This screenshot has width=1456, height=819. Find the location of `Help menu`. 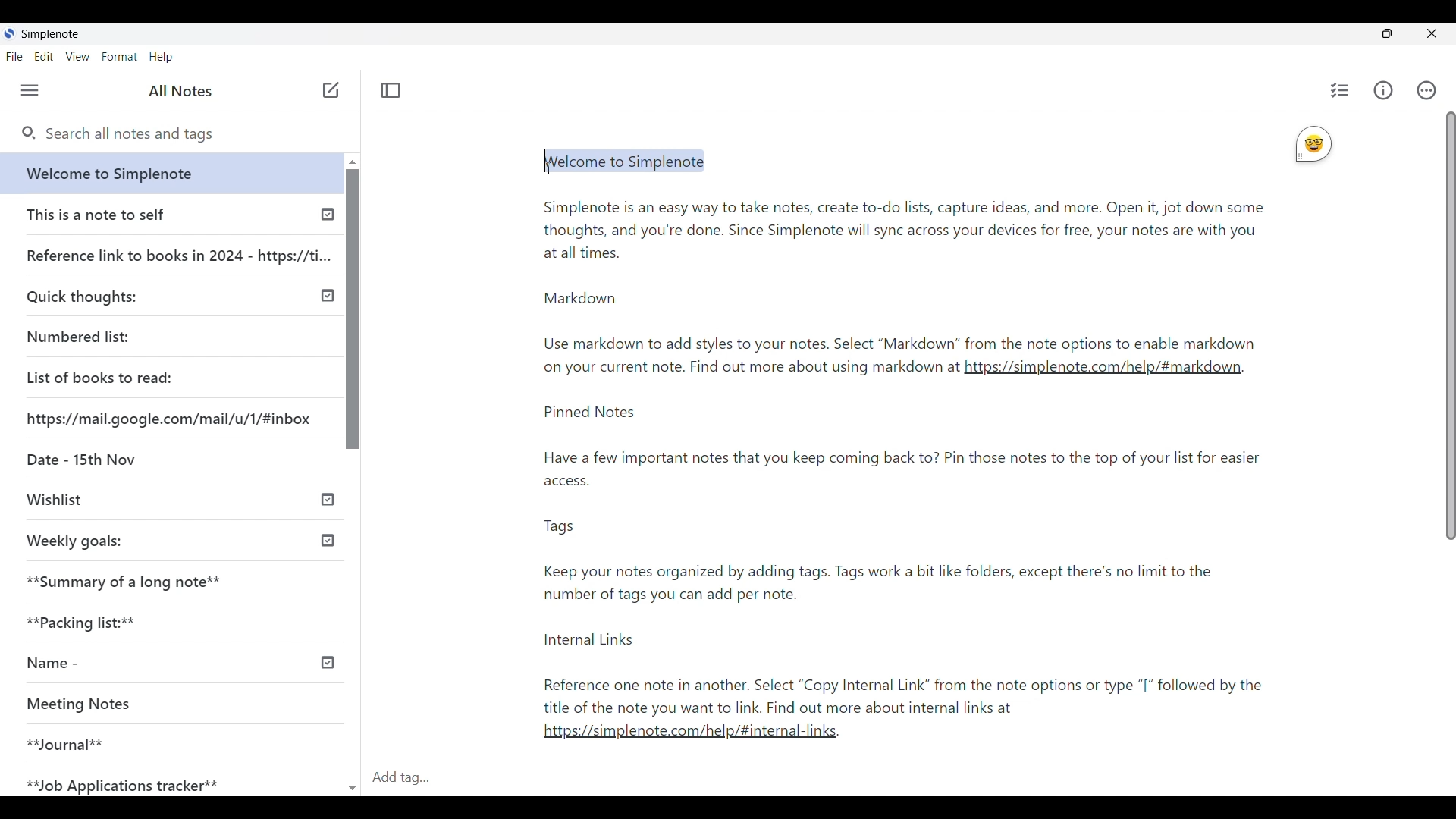

Help menu is located at coordinates (161, 57).